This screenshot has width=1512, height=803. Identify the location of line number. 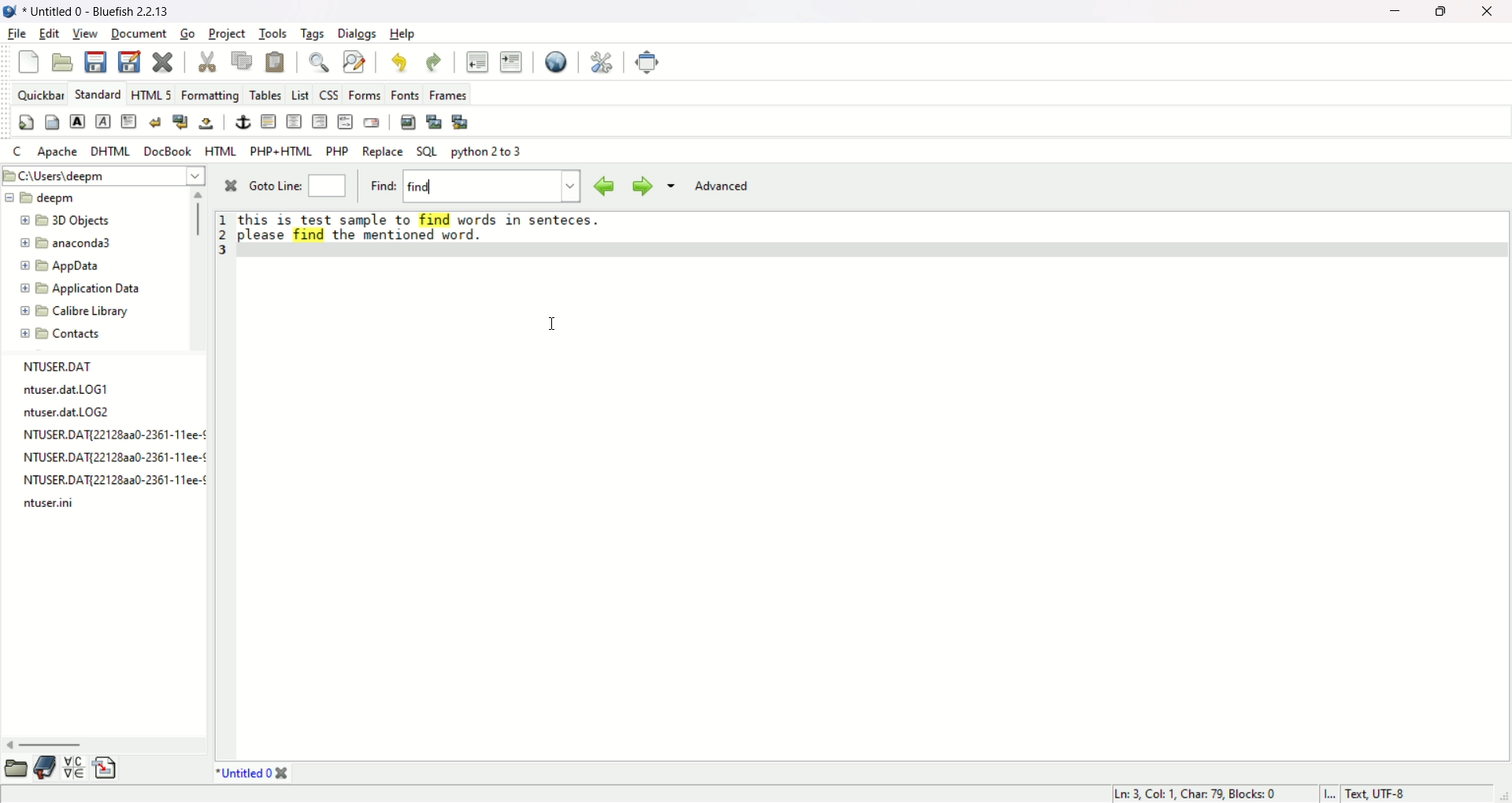
(224, 232).